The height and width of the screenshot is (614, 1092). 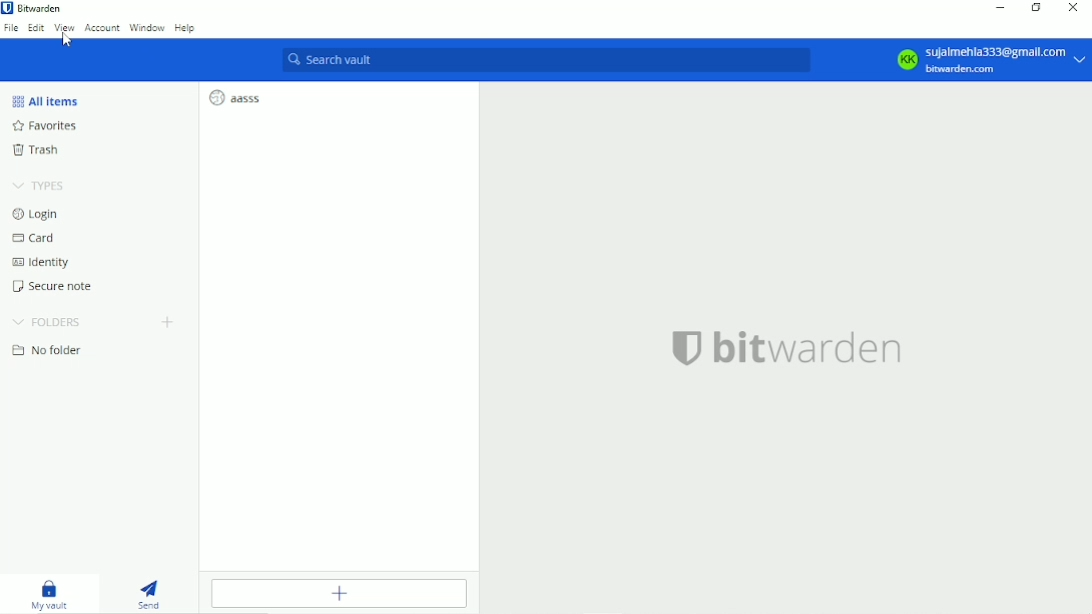 What do you see at coordinates (147, 28) in the screenshot?
I see `Window` at bounding box center [147, 28].